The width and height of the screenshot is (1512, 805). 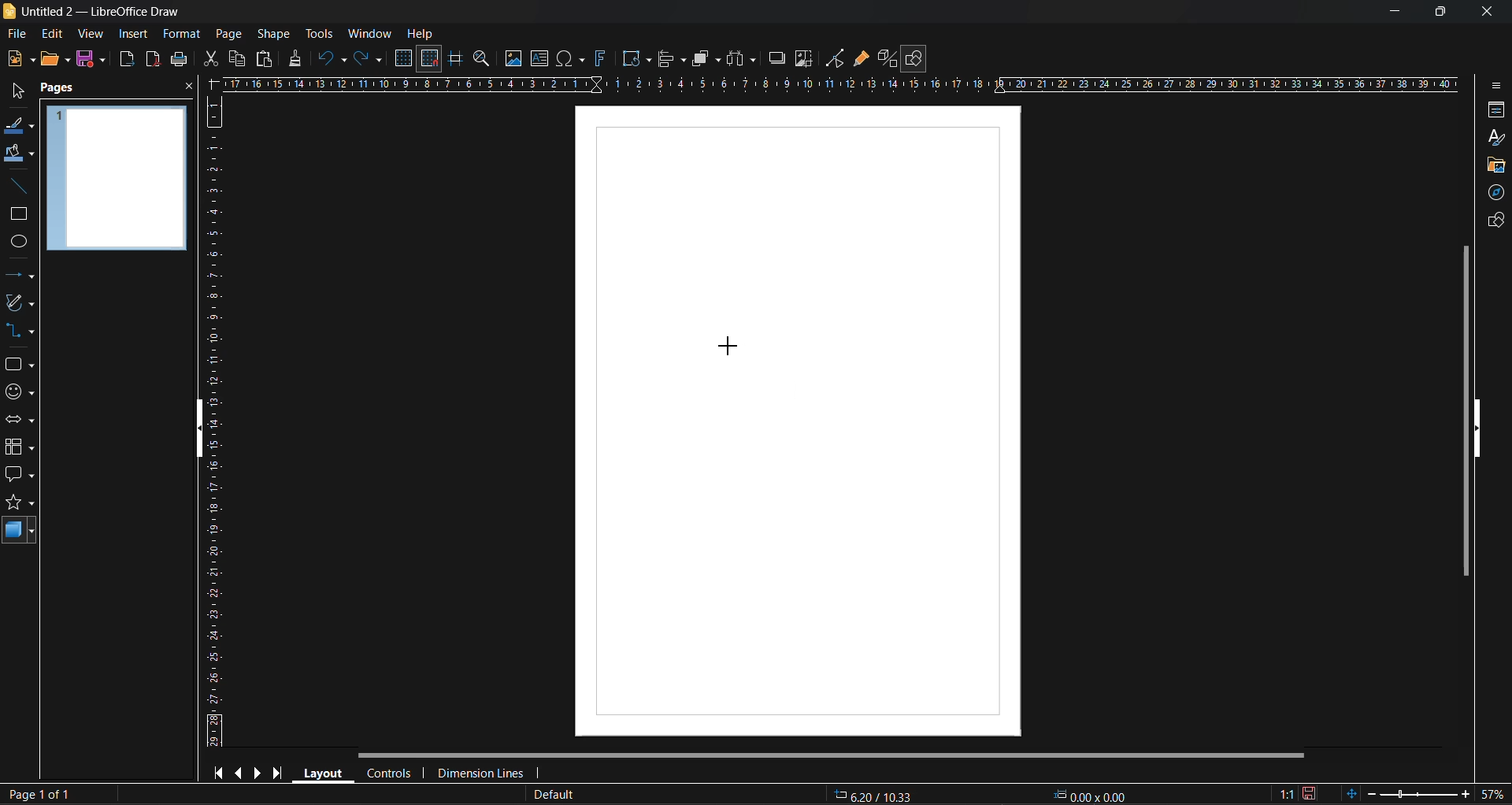 I want to click on styles, so click(x=1494, y=137).